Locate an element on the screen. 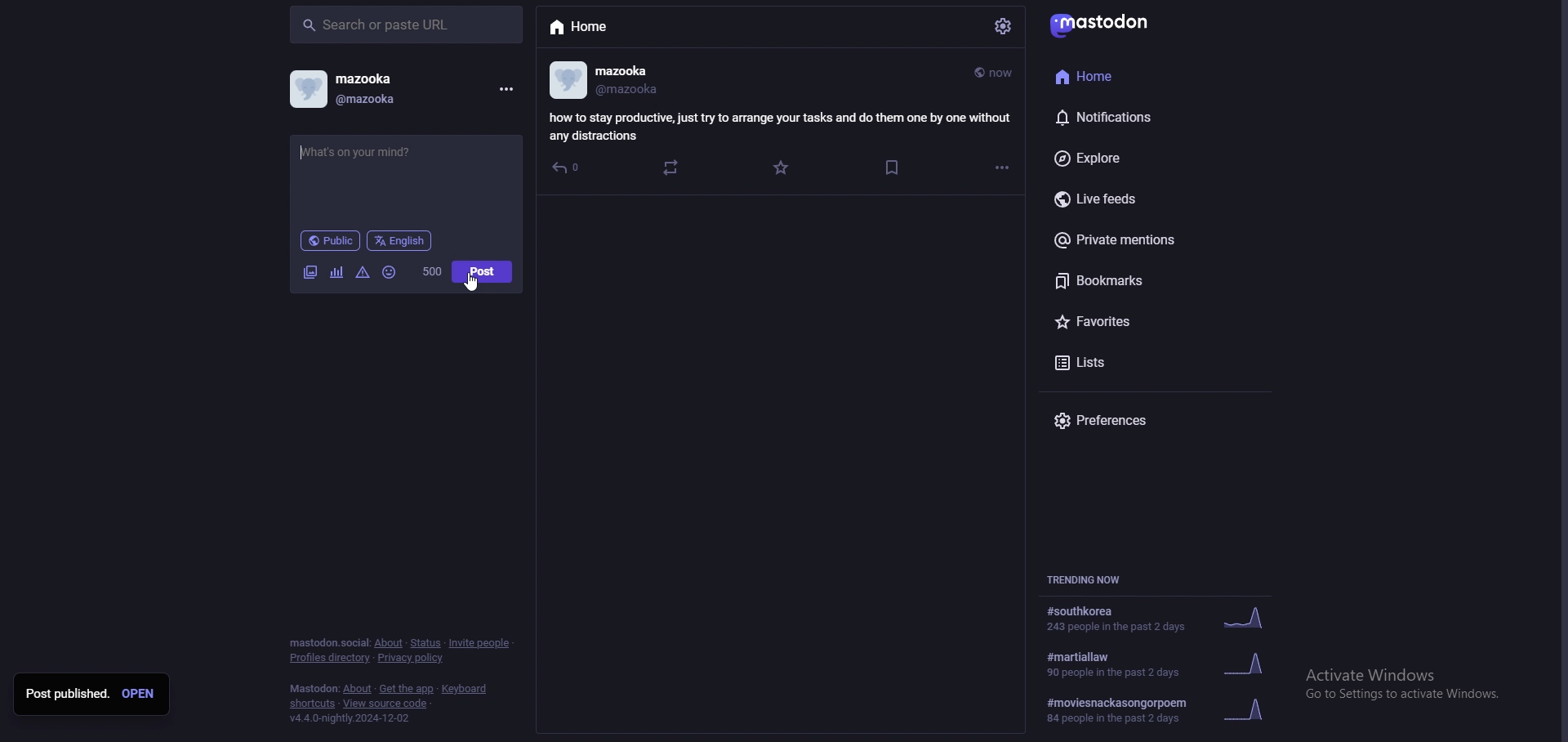  public is located at coordinates (330, 240).